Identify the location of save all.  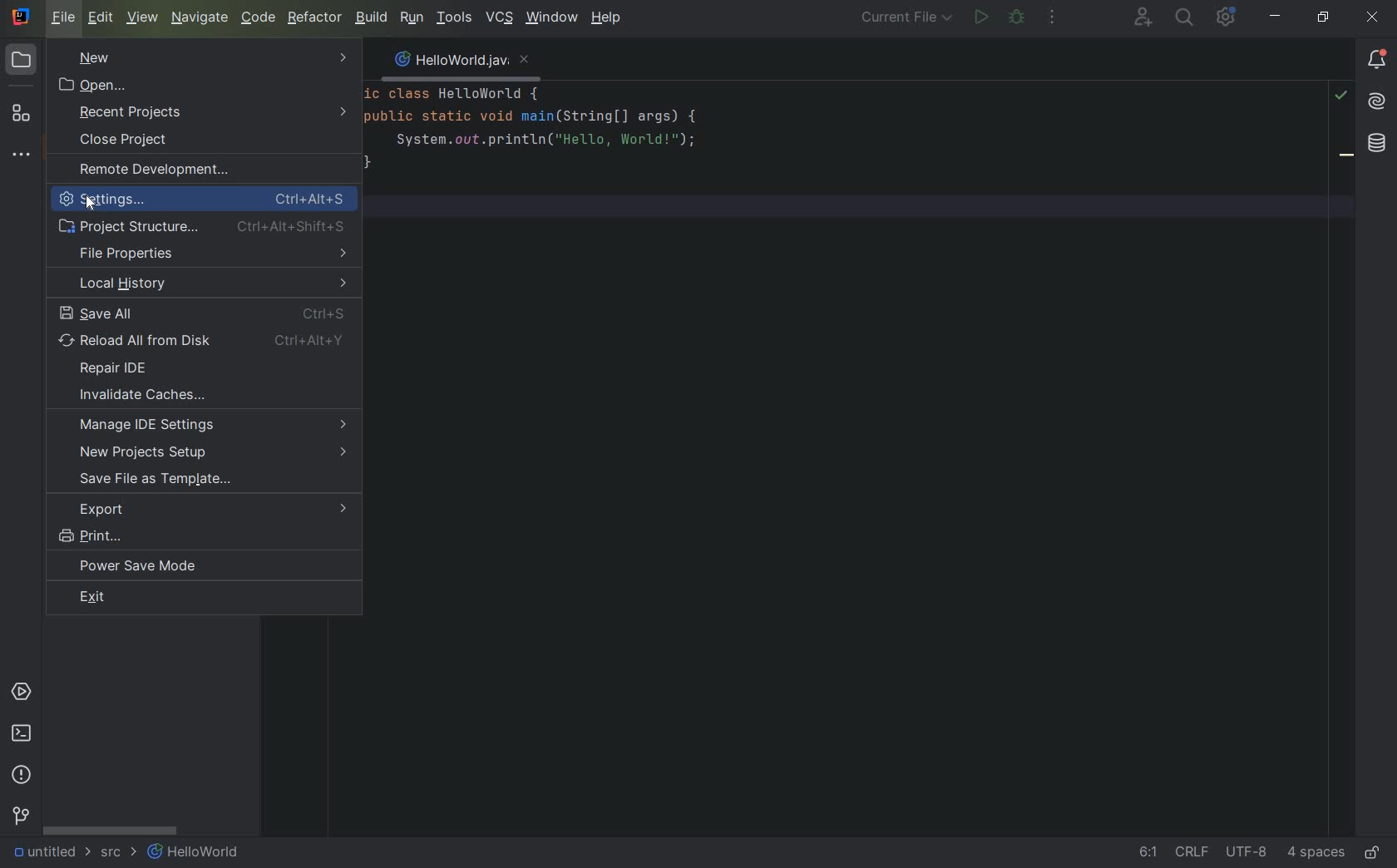
(205, 314).